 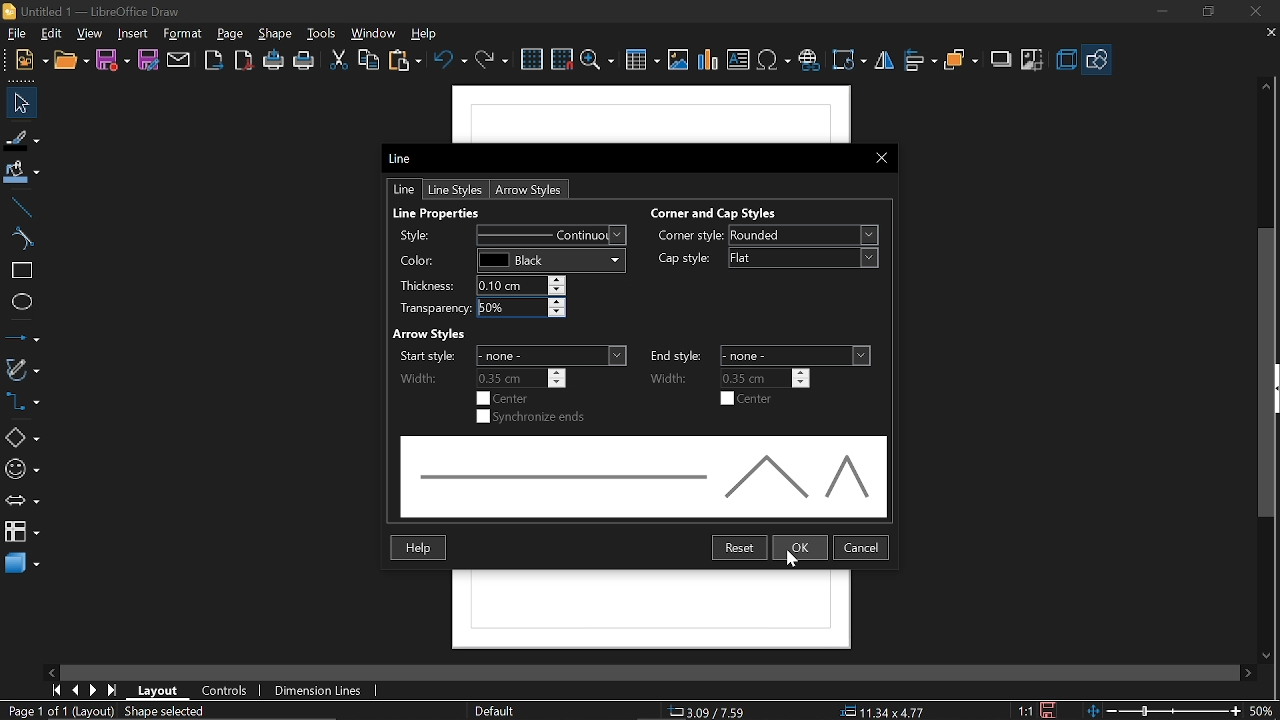 What do you see at coordinates (242, 60) in the screenshot?
I see `export as pdf` at bounding box center [242, 60].